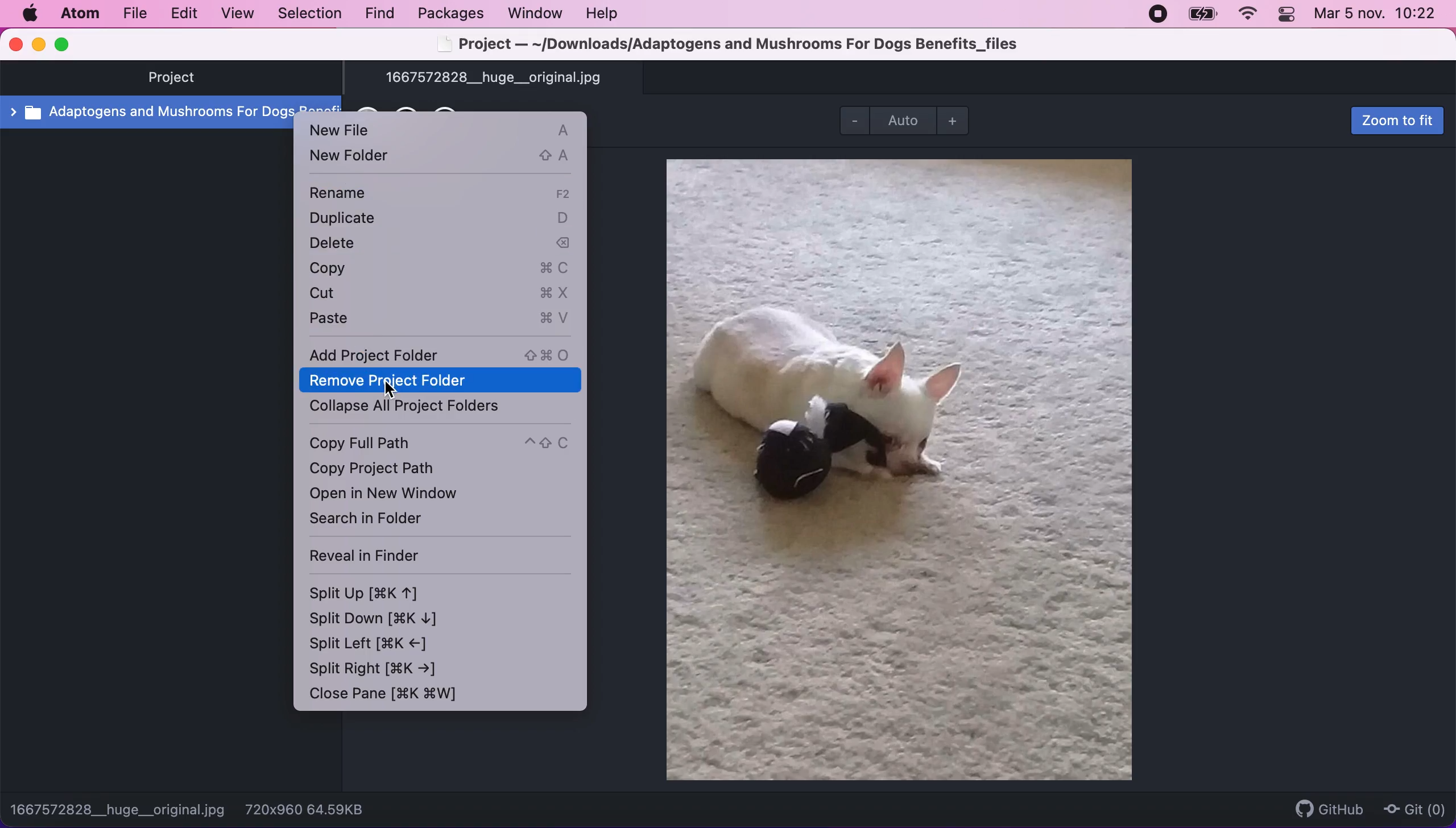 This screenshot has width=1456, height=828. I want to click on project tab, so click(176, 78).